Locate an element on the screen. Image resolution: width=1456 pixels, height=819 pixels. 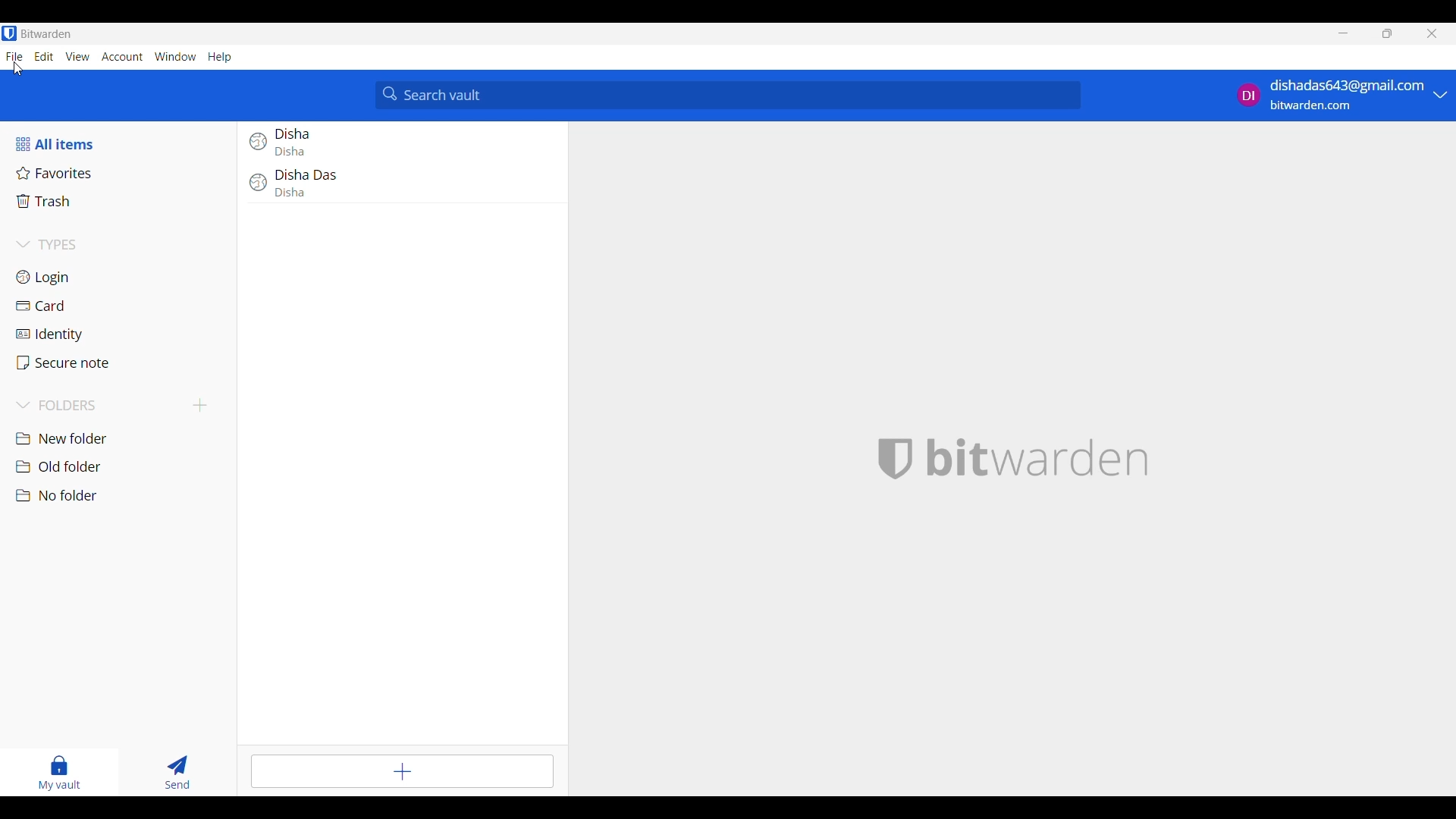
Software name is located at coordinates (46, 33).